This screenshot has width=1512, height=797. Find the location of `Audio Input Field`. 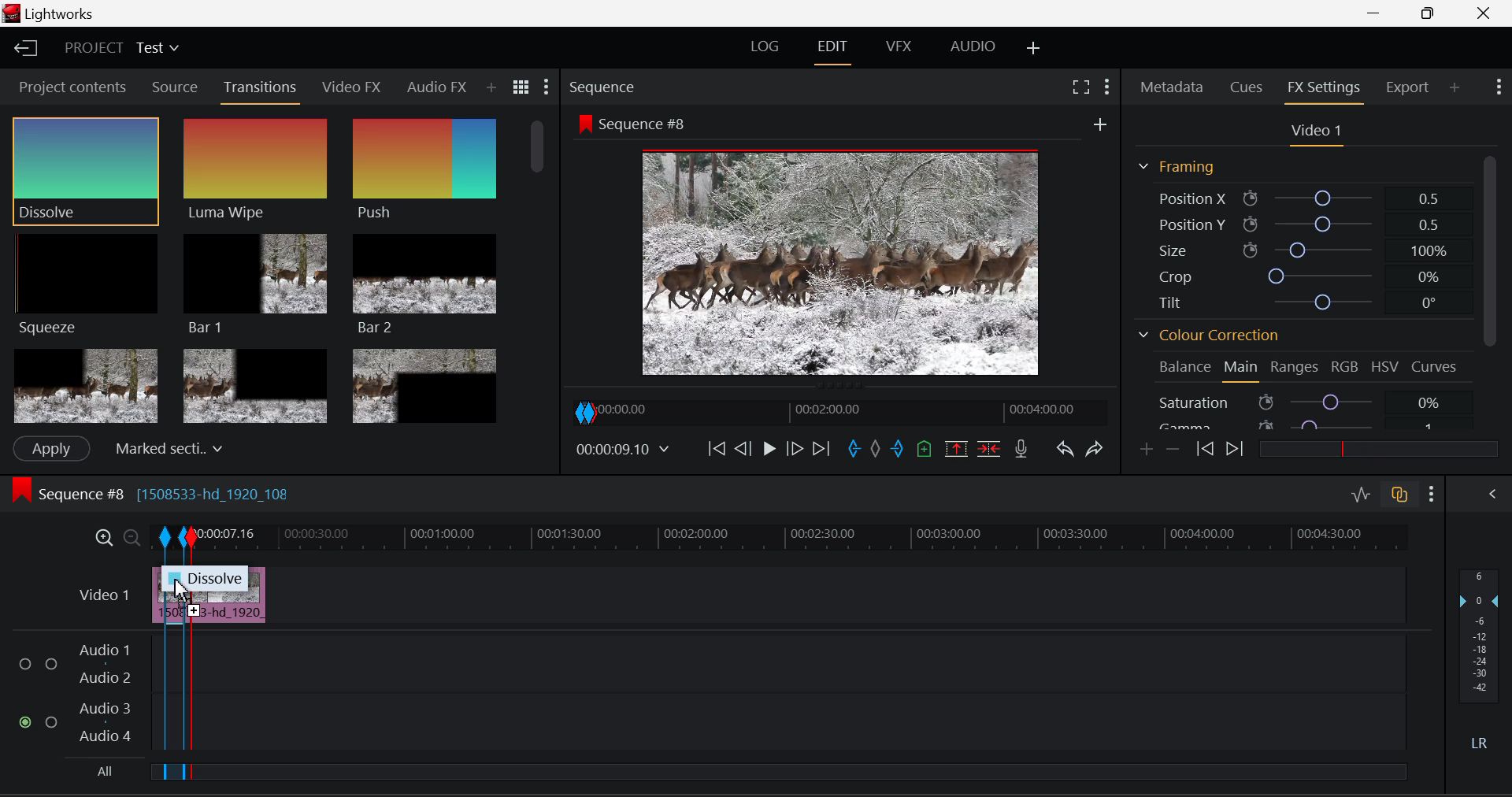

Audio Input Field is located at coordinates (798, 662).